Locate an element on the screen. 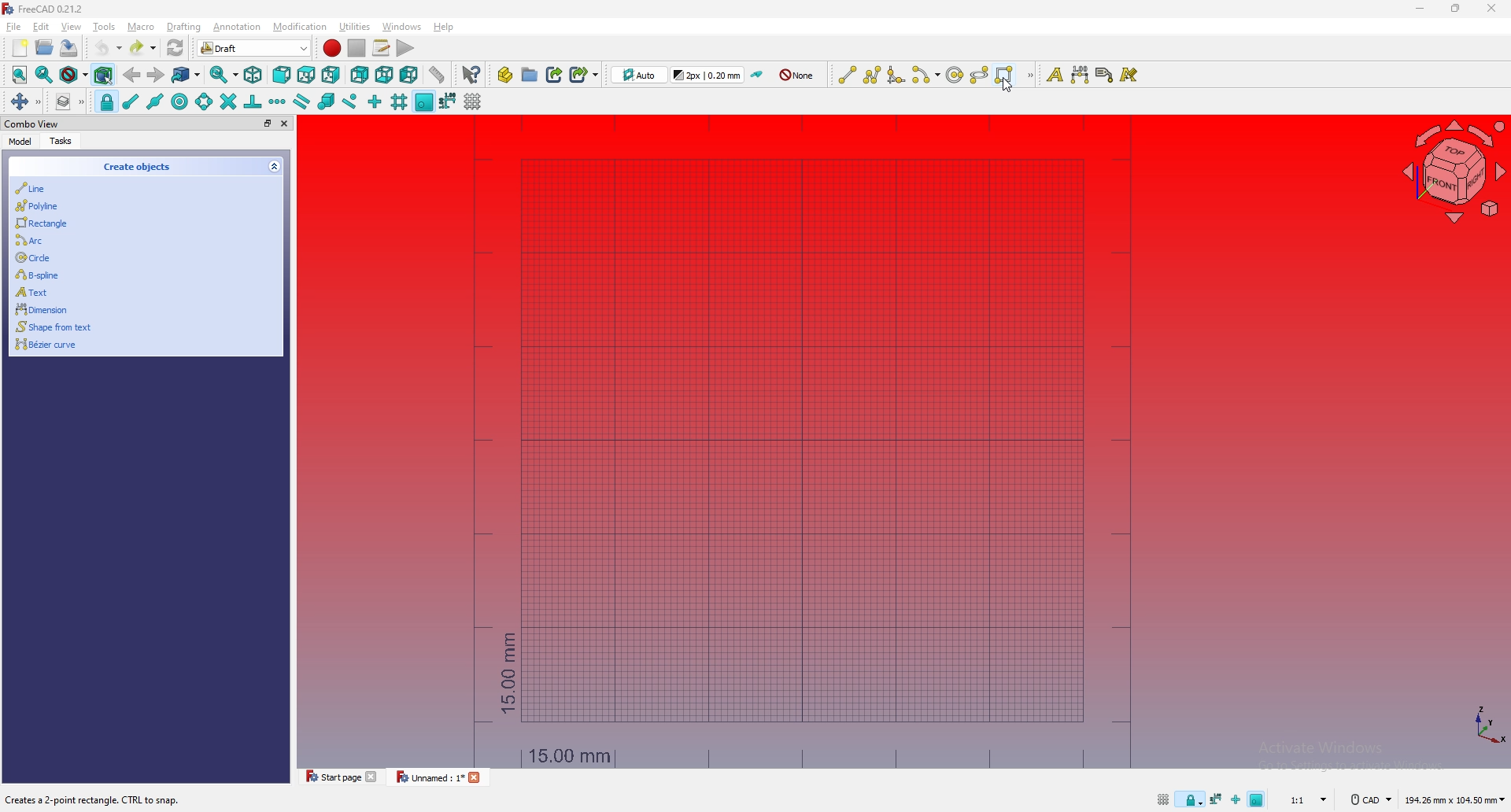 The width and height of the screenshot is (1511, 812). snap center is located at coordinates (179, 101).